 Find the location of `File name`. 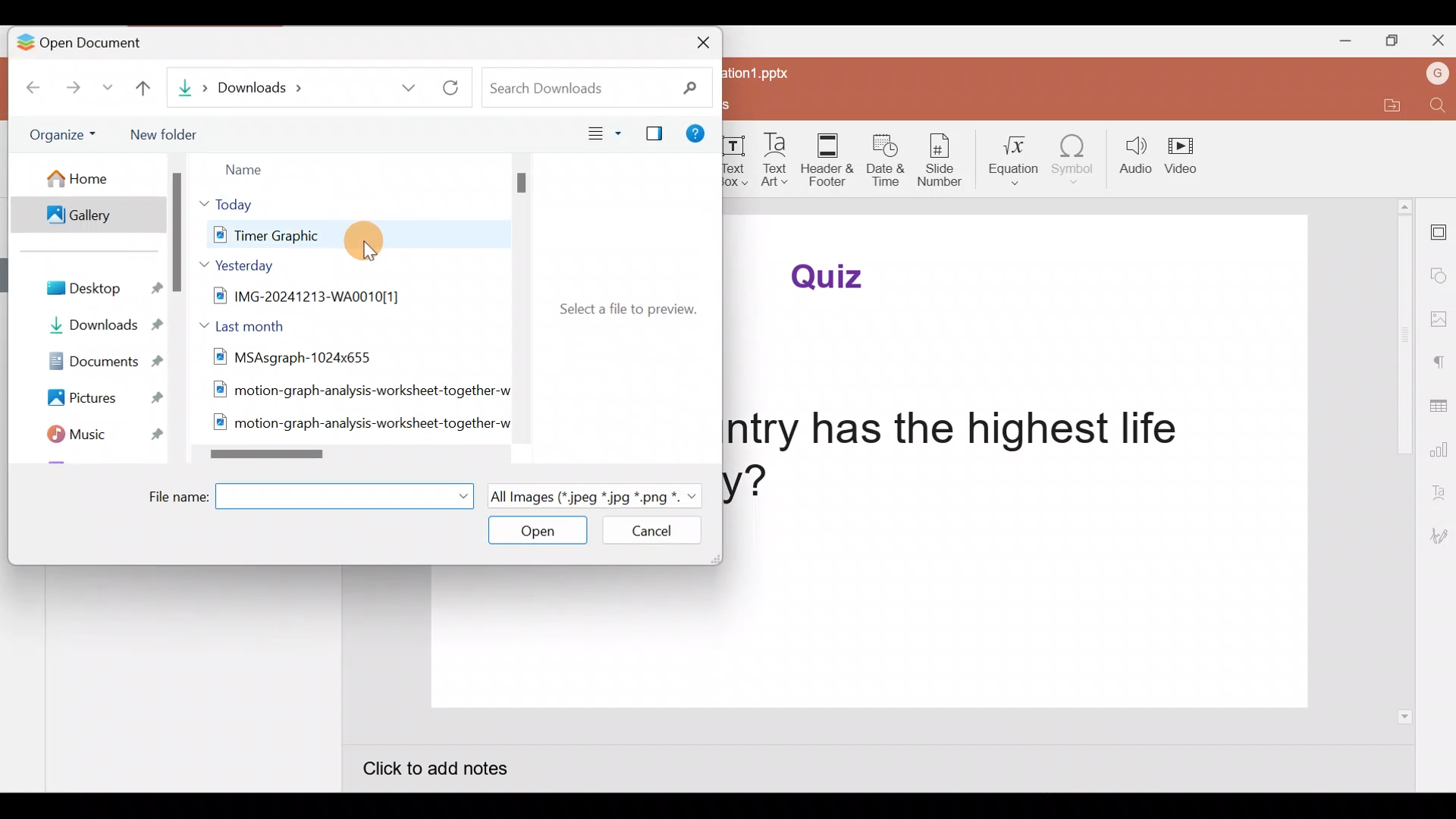

File name is located at coordinates (306, 497).